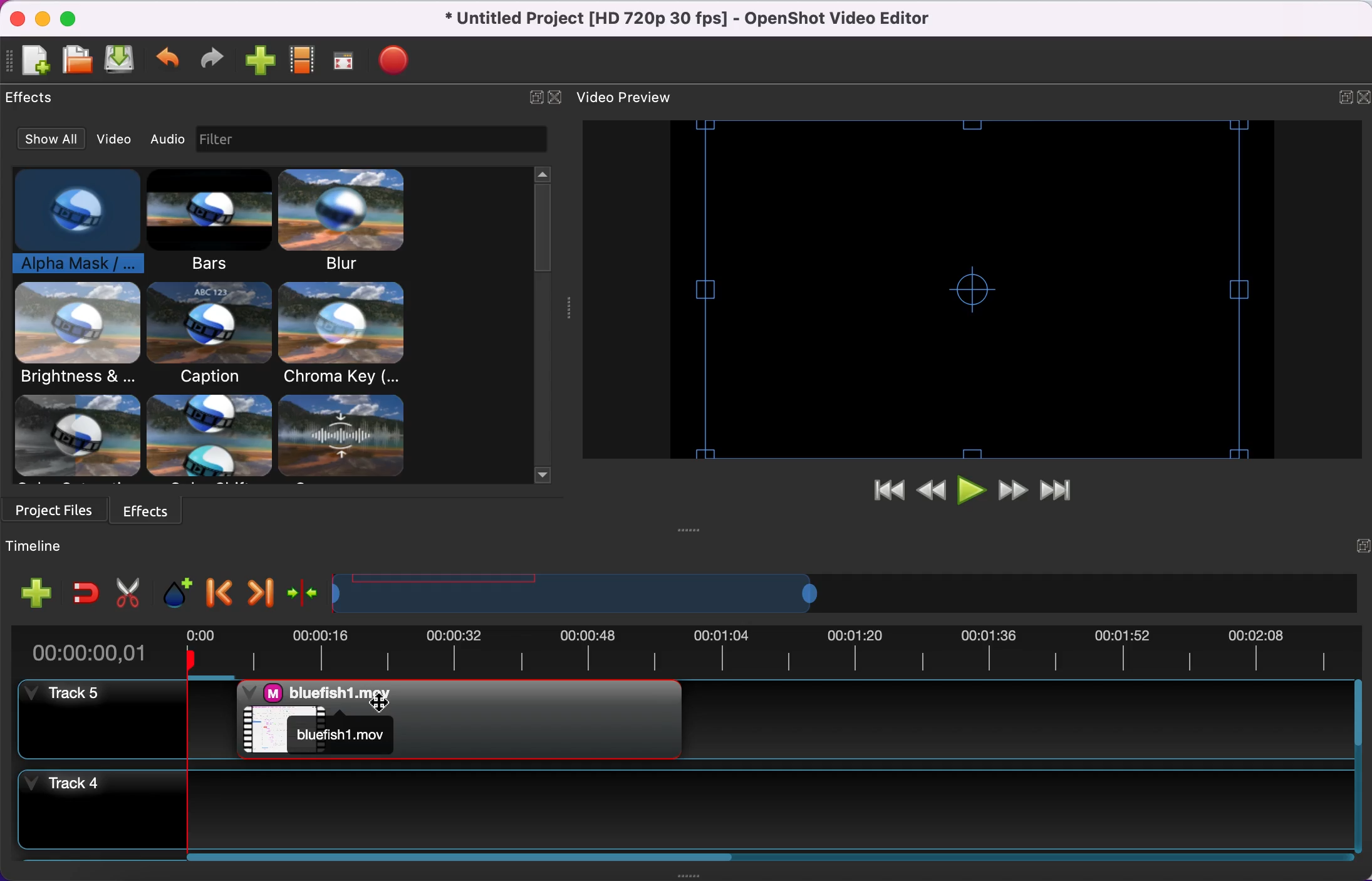 Image resolution: width=1372 pixels, height=881 pixels. What do you see at coordinates (34, 63) in the screenshot?
I see `add new file` at bounding box center [34, 63].